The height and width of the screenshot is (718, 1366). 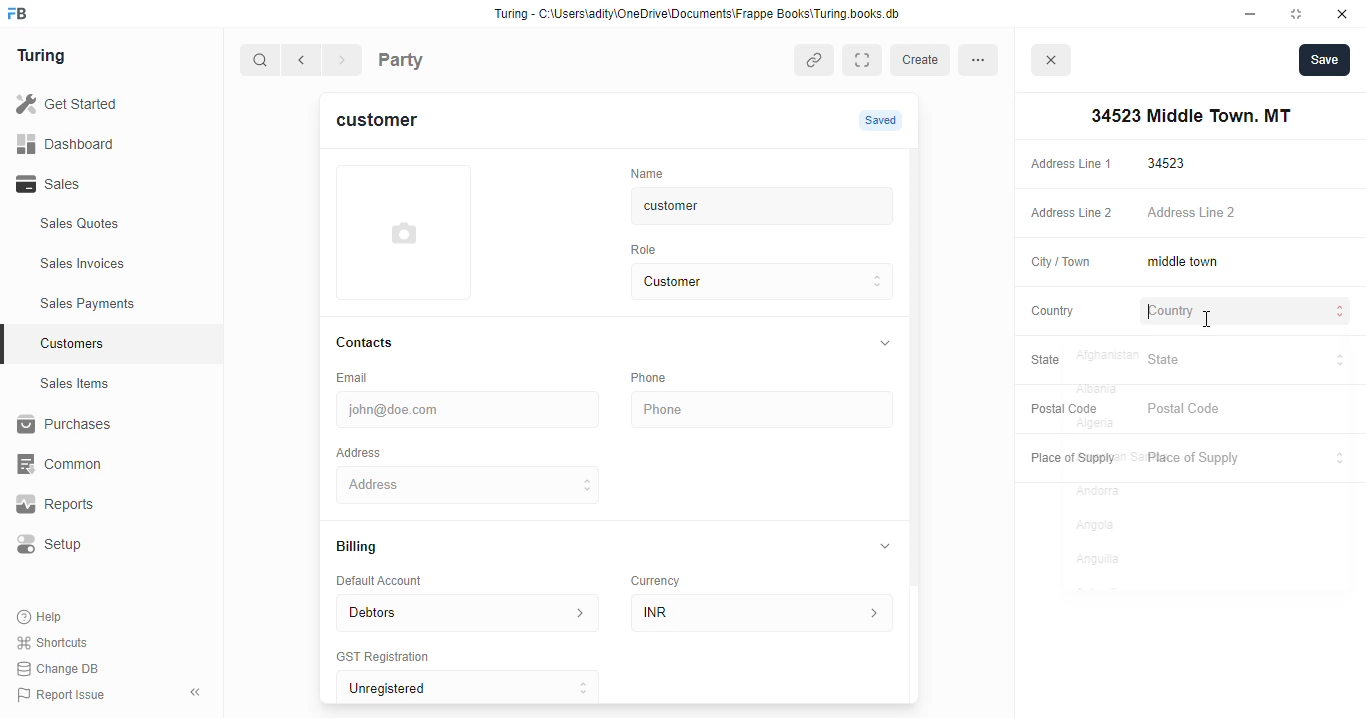 What do you see at coordinates (1247, 360) in the screenshot?
I see `State` at bounding box center [1247, 360].